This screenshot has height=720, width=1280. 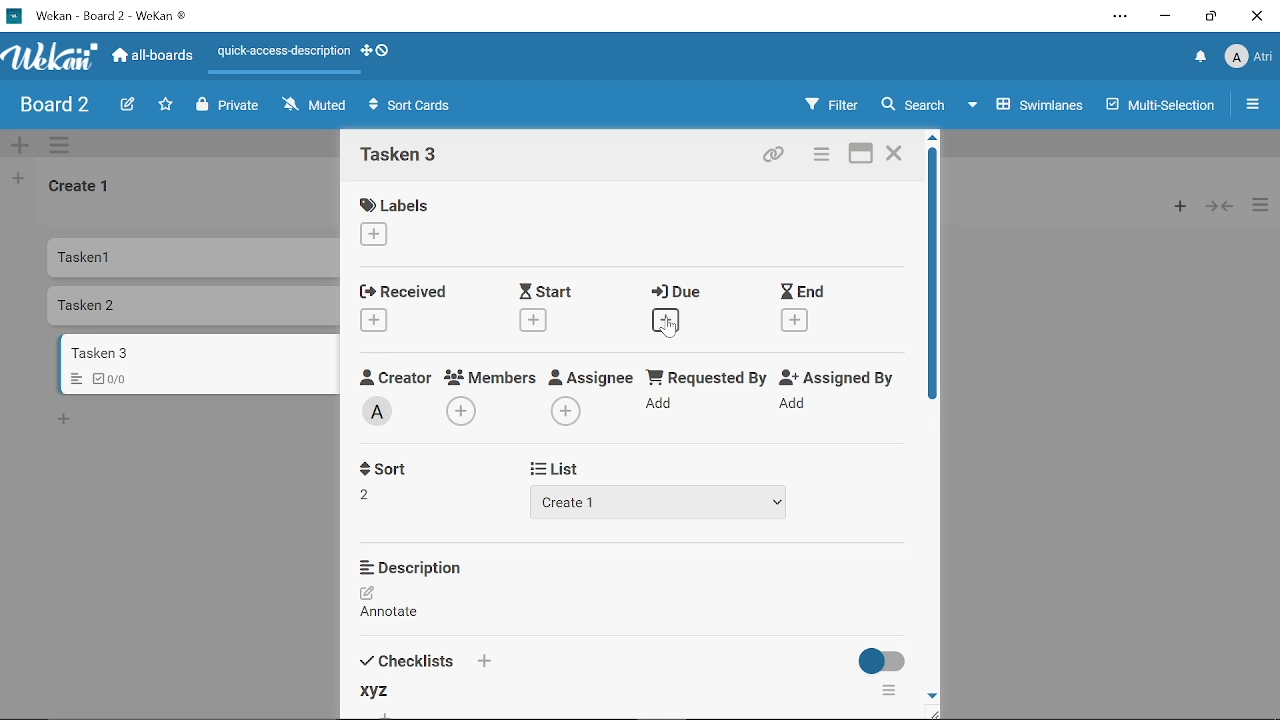 What do you see at coordinates (82, 188) in the screenshot?
I see `List titled "Create 1"` at bounding box center [82, 188].